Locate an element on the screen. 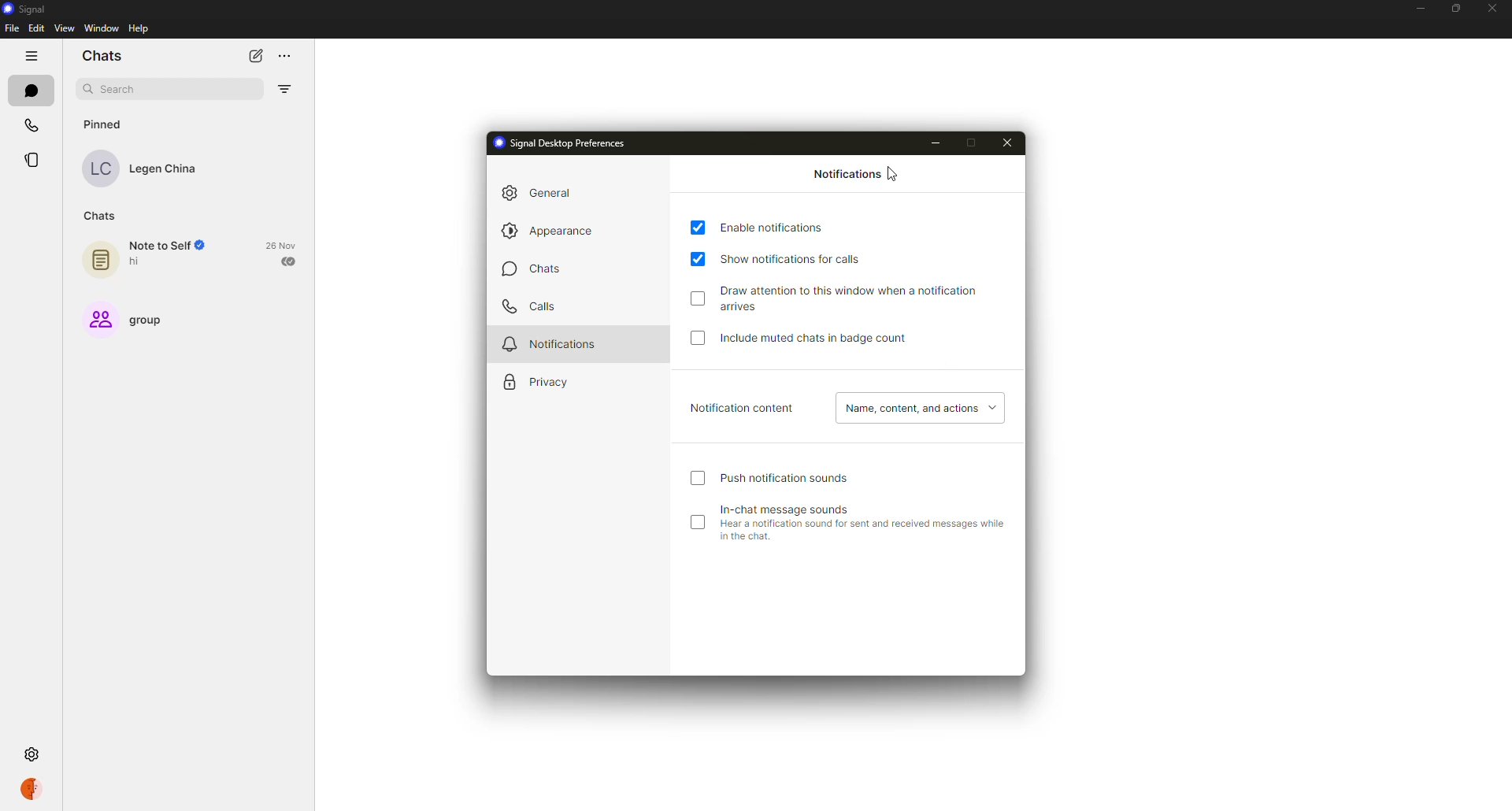 The height and width of the screenshot is (811, 1512). signal desktop preferences is located at coordinates (565, 142).